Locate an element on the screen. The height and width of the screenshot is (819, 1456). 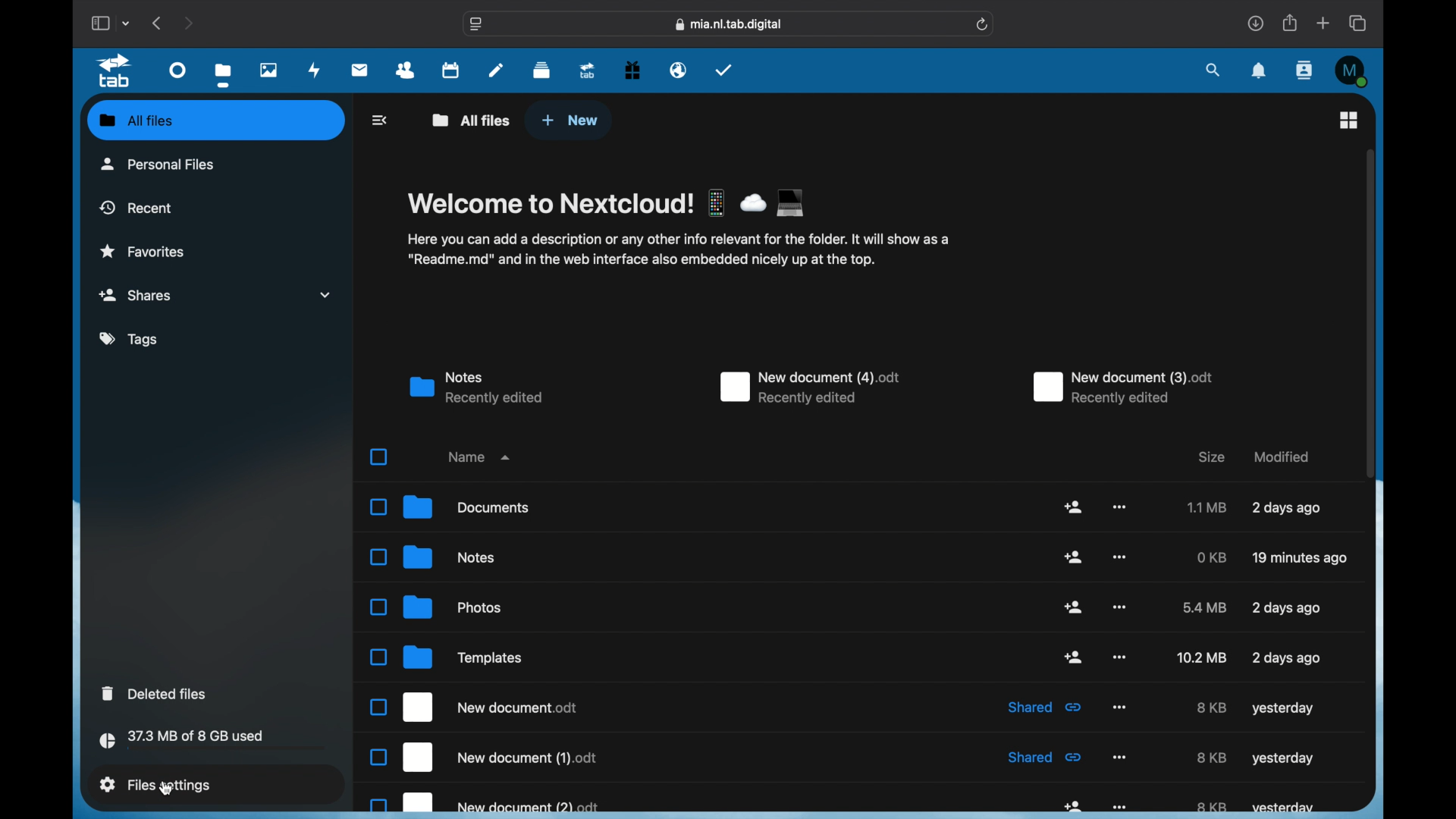
recent is located at coordinates (136, 207).